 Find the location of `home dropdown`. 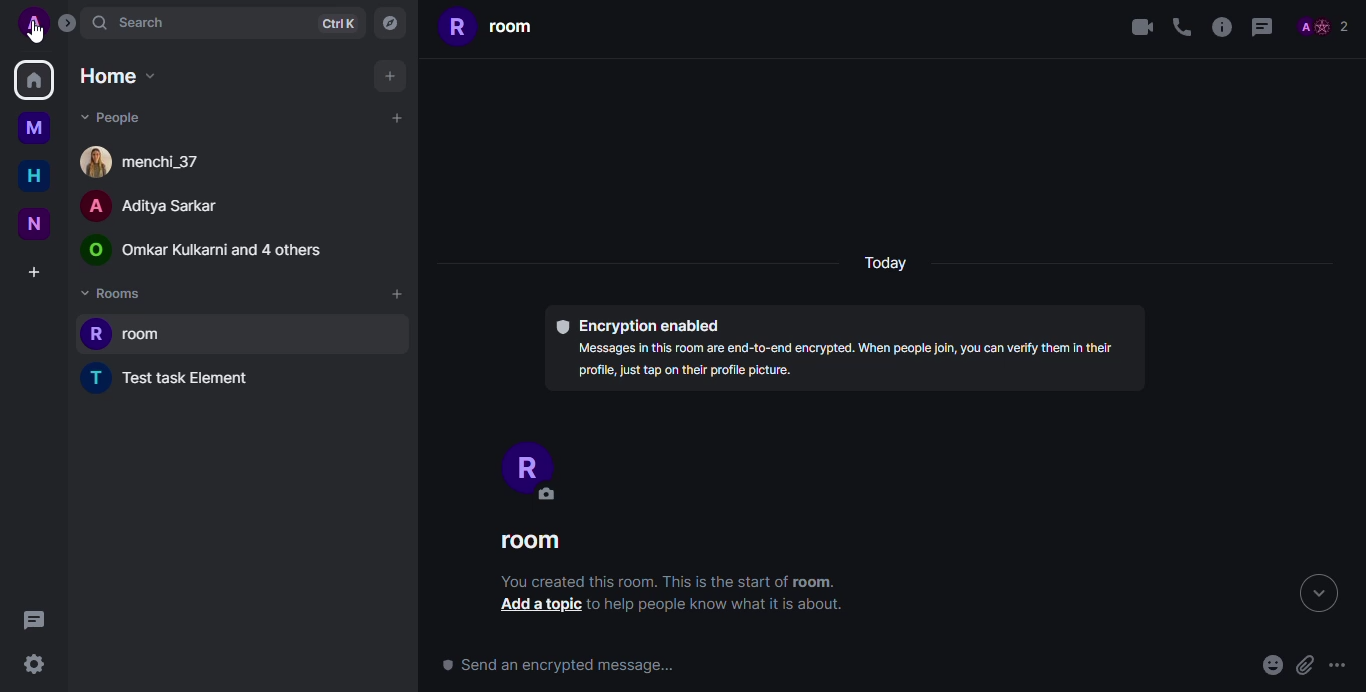

home dropdown is located at coordinates (114, 76).